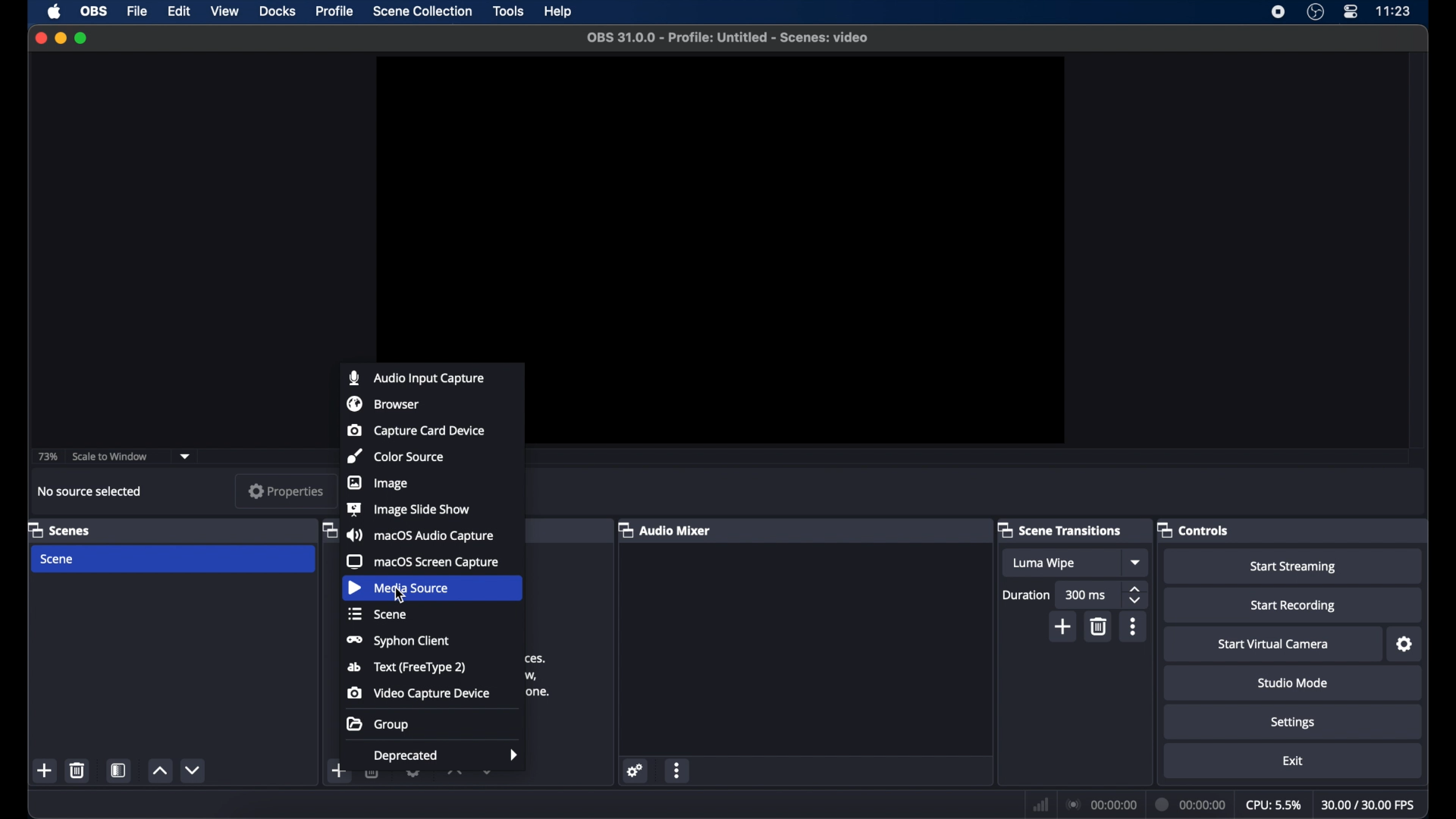 The image size is (1456, 819). Describe the element at coordinates (185, 457) in the screenshot. I see `dropdown` at that location.